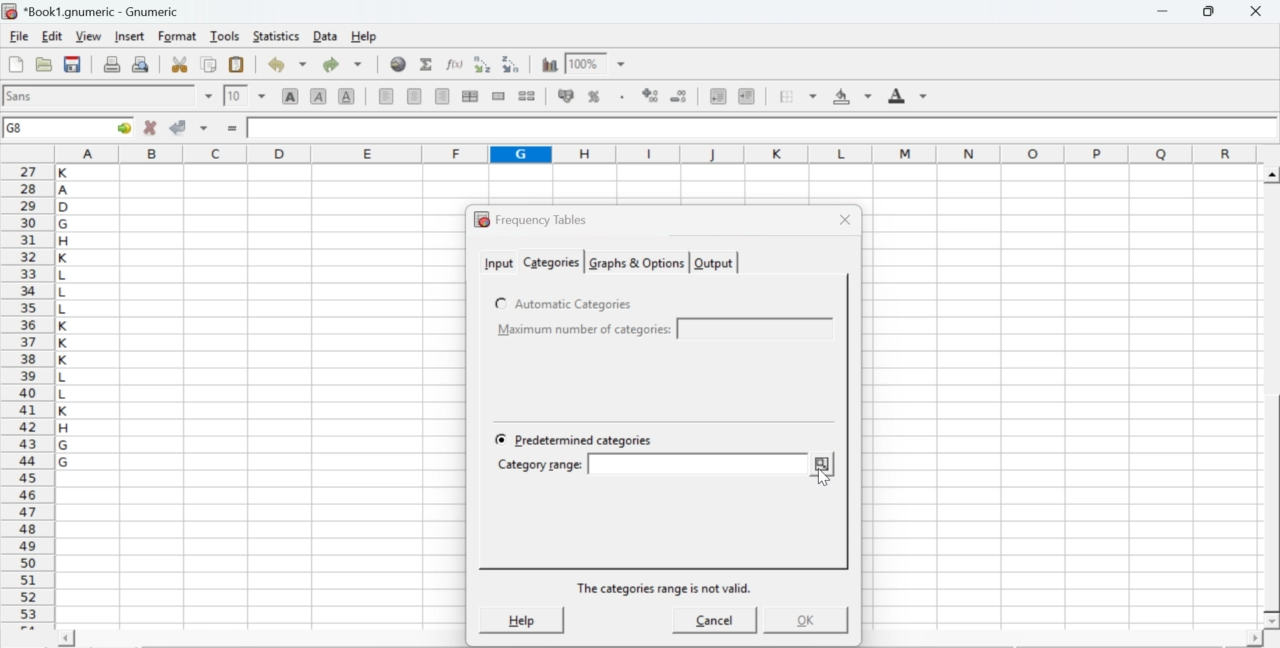  What do you see at coordinates (122, 127) in the screenshot?
I see `go to` at bounding box center [122, 127].